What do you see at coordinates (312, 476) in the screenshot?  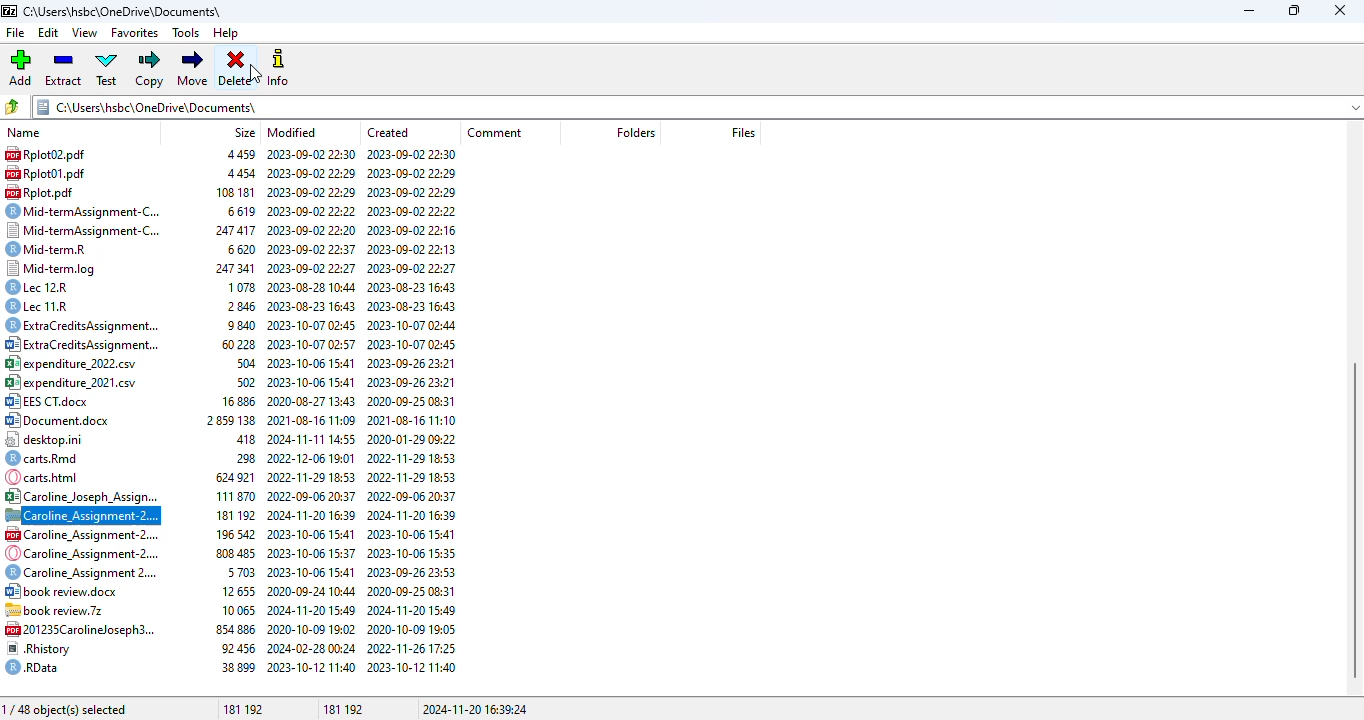 I see `2022-11-29 18:53` at bounding box center [312, 476].